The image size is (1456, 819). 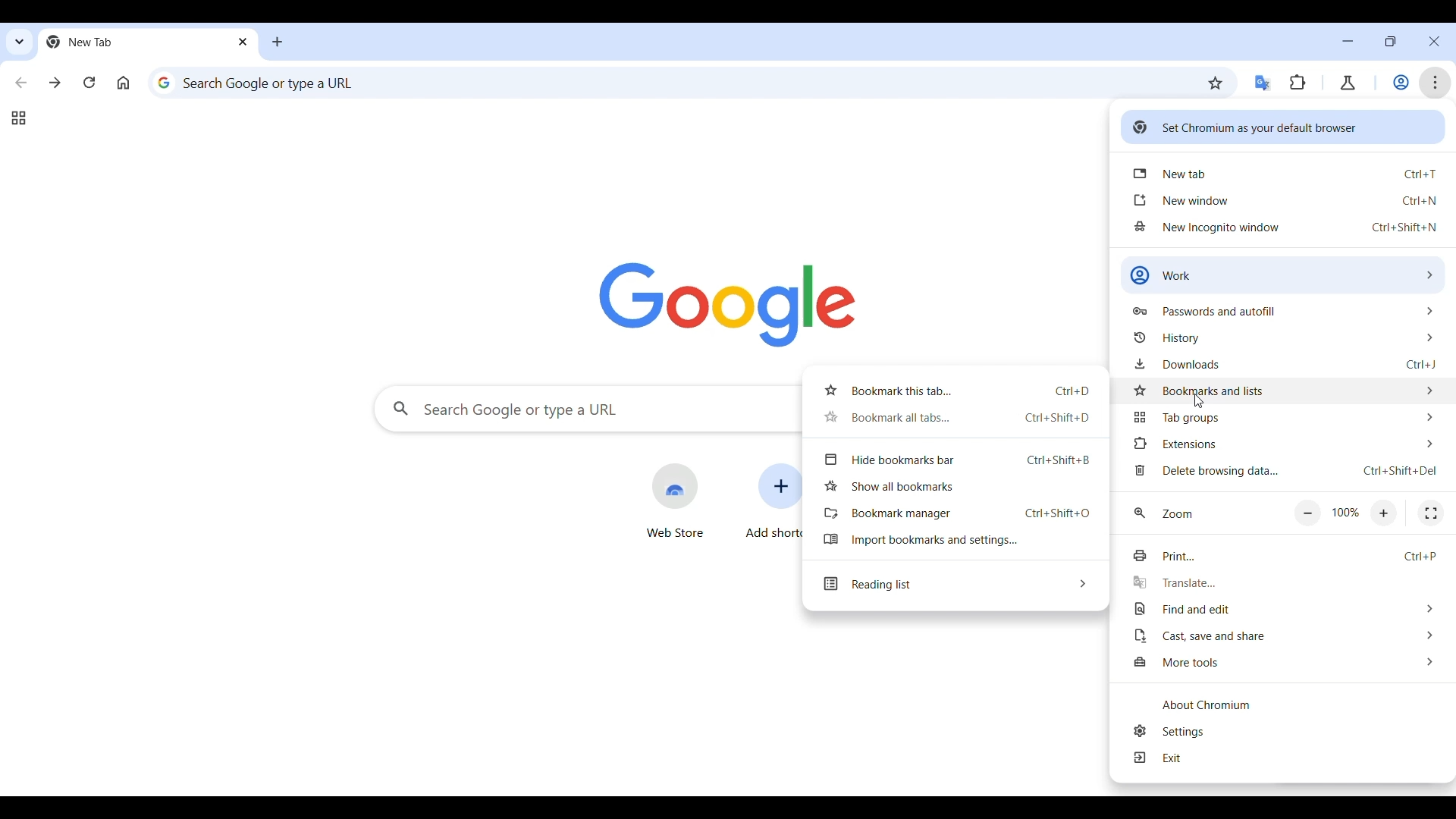 What do you see at coordinates (1348, 41) in the screenshot?
I see `Minimize` at bounding box center [1348, 41].